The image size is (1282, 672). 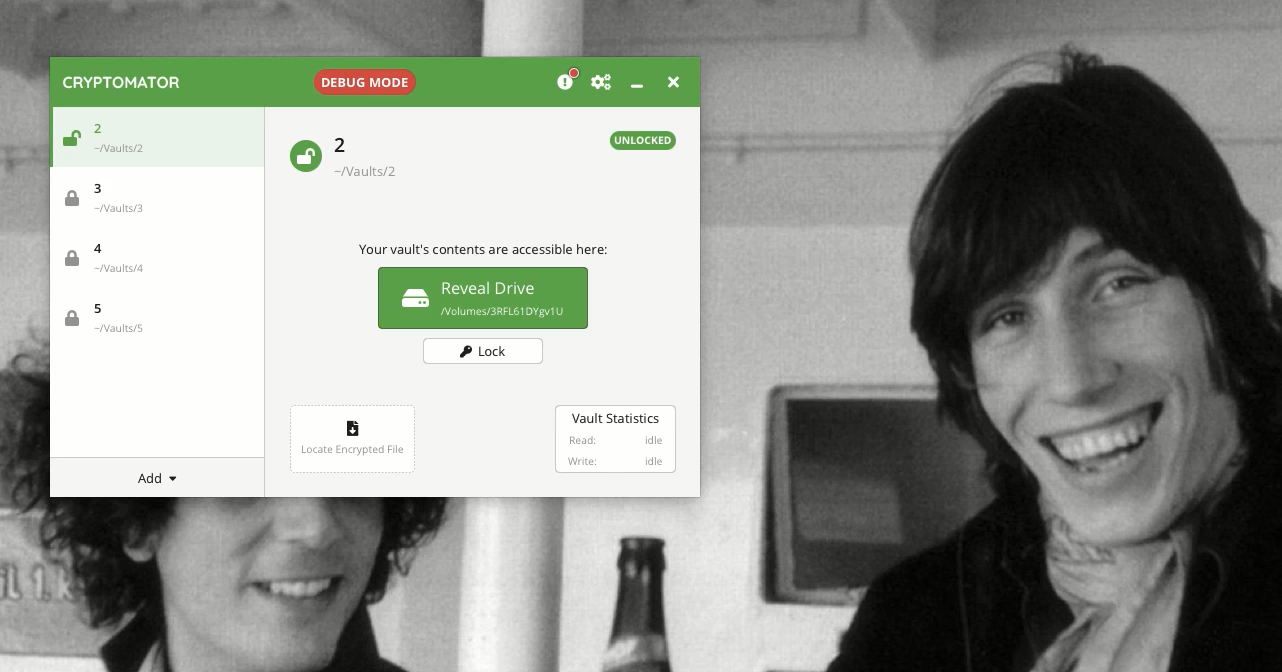 I want to click on Cryptomator, so click(x=123, y=82).